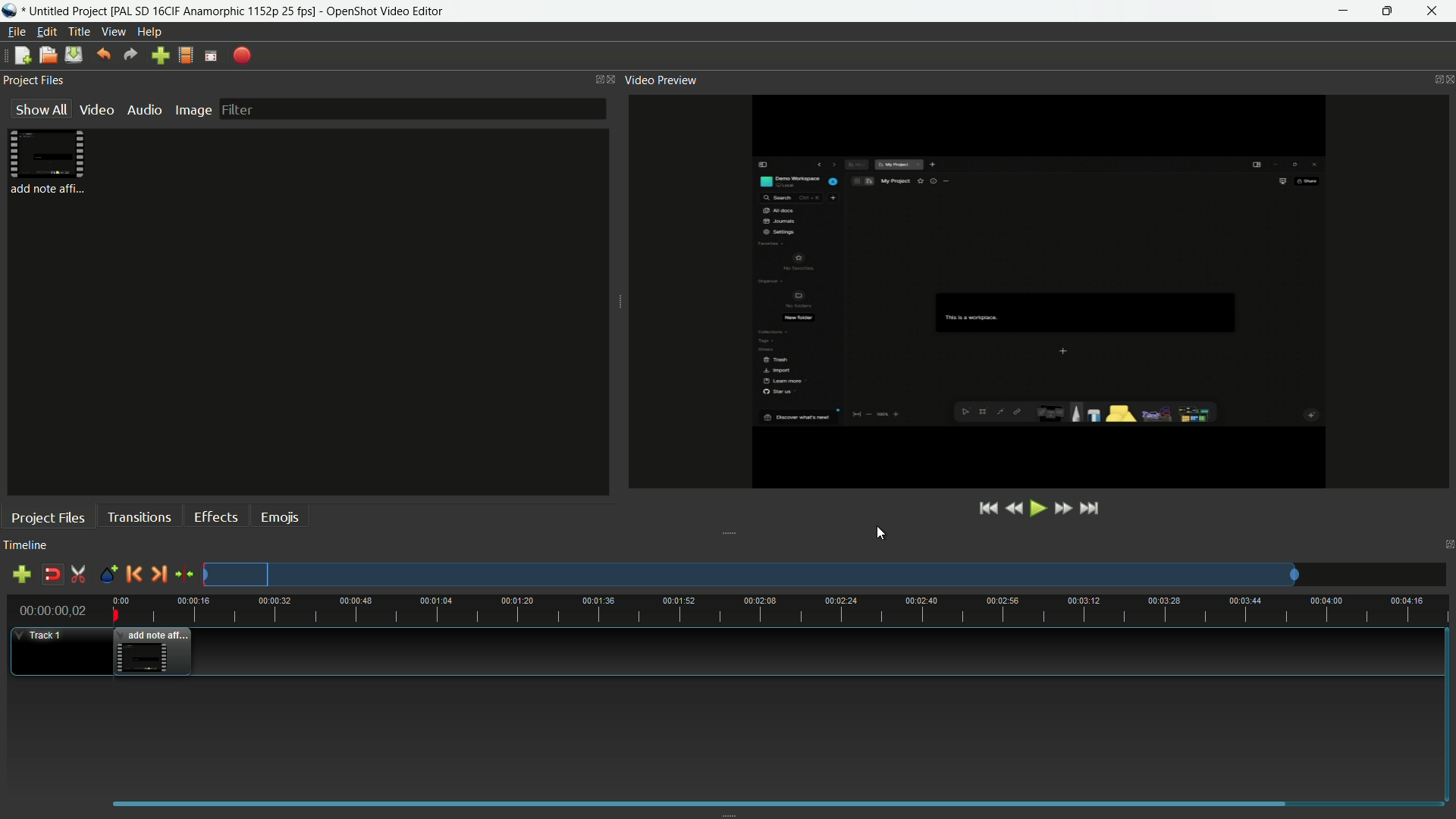 The width and height of the screenshot is (1456, 819). Describe the element at coordinates (151, 30) in the screenshot. I see `help menu` at that location.